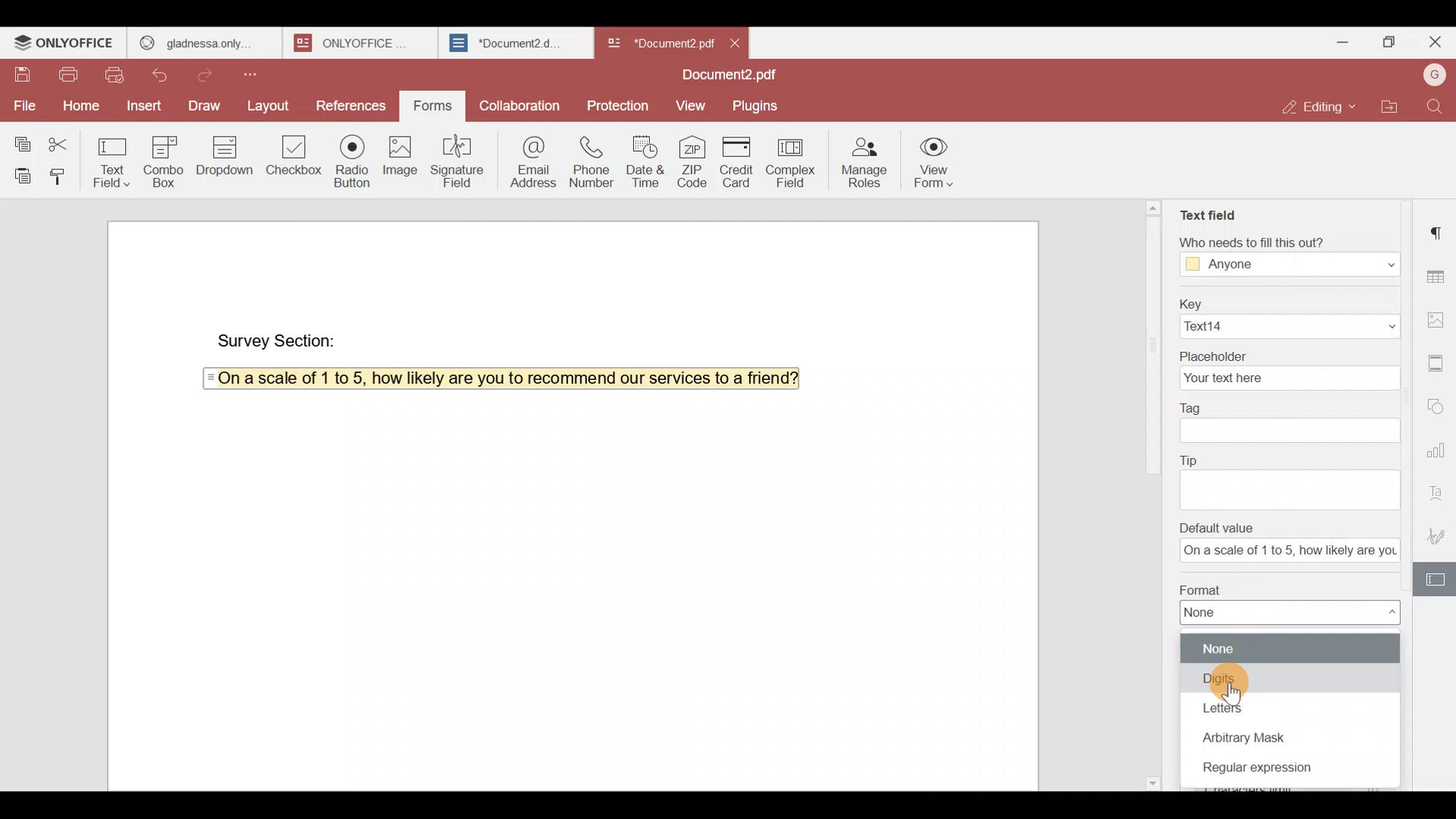  What do you see at coordinates (351, 158) in the screenshot?
I see `Radio` at bounding box center [351, 158].